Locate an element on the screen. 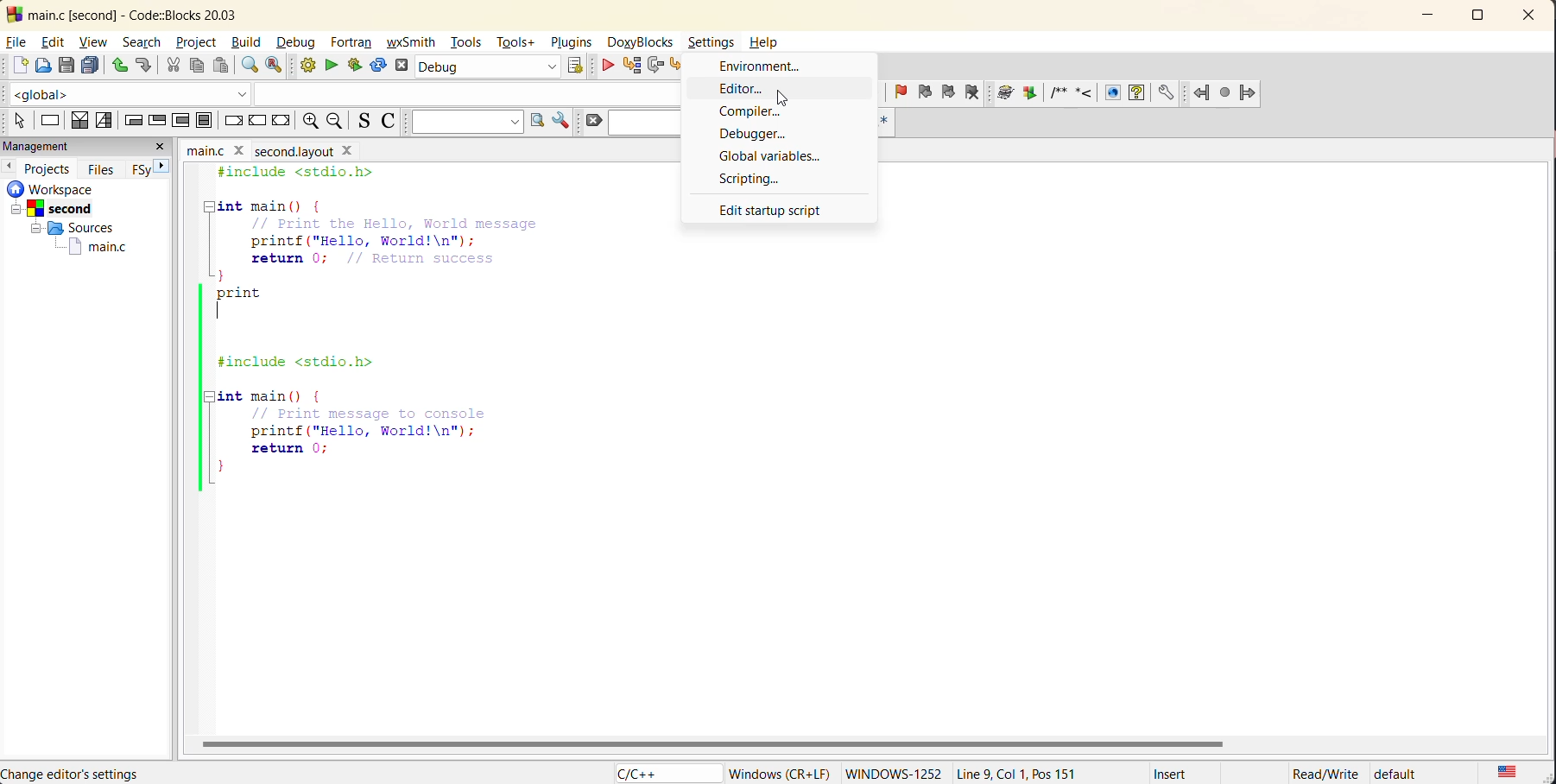 This screenshot has height=784, width=1556. next bookmark is located at coordinates (945, 92).